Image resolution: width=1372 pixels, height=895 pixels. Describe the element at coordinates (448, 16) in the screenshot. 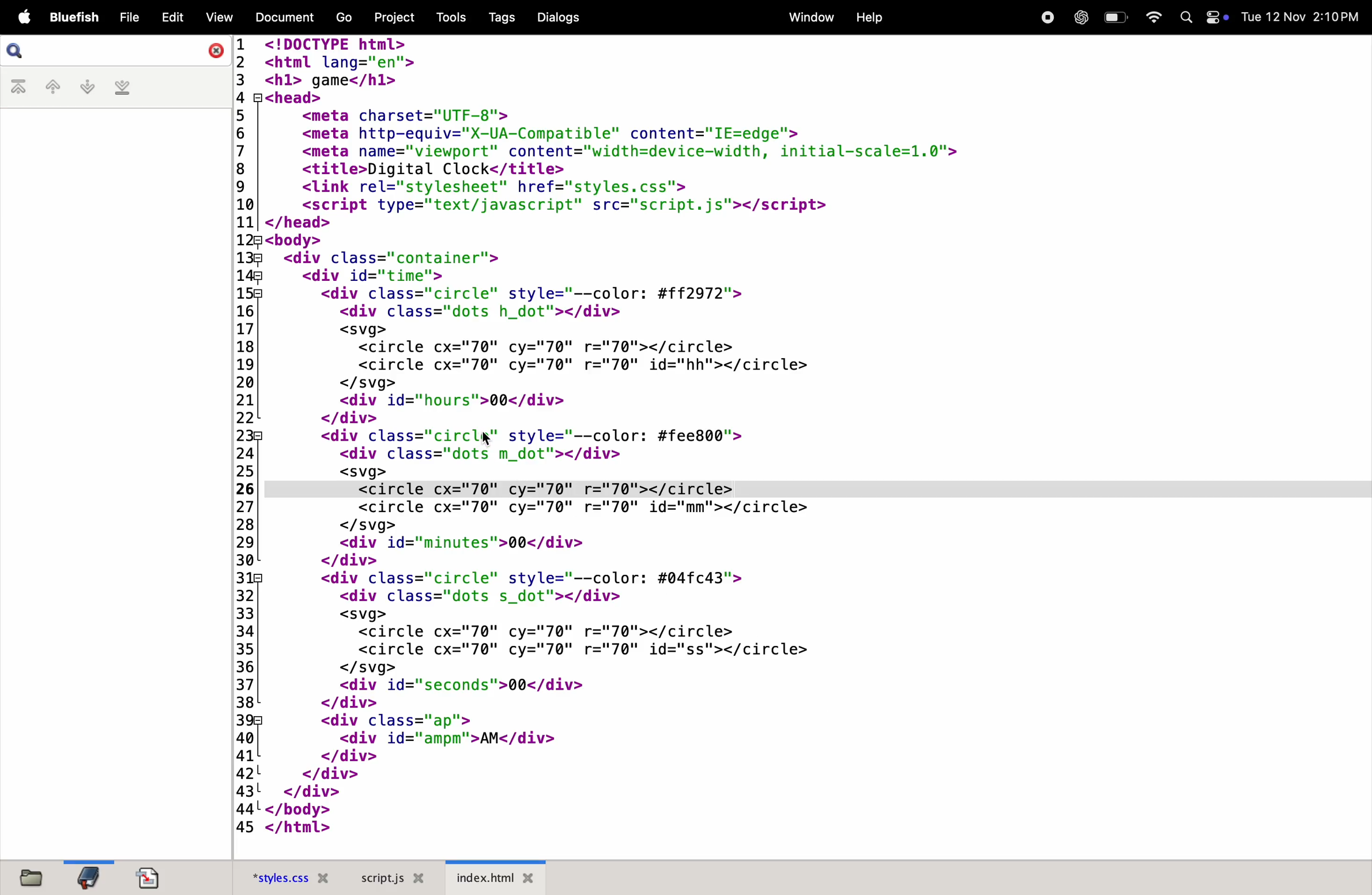

I see `tools` at that location.